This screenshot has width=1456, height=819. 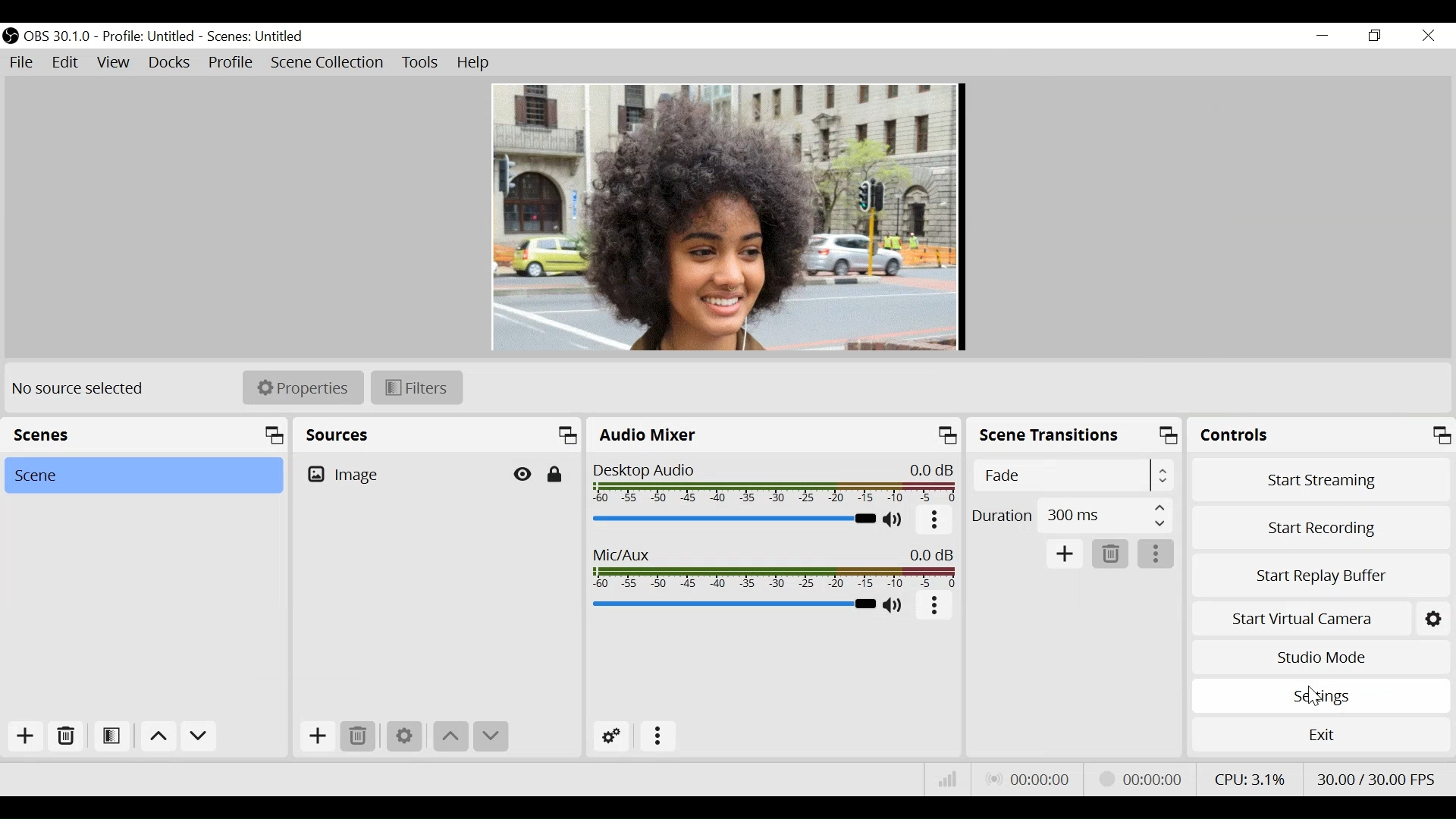 What do you see at coordinates (1319, 527) in the screenshot?
I see `Start Recording` at bounding box center [1319, 527].